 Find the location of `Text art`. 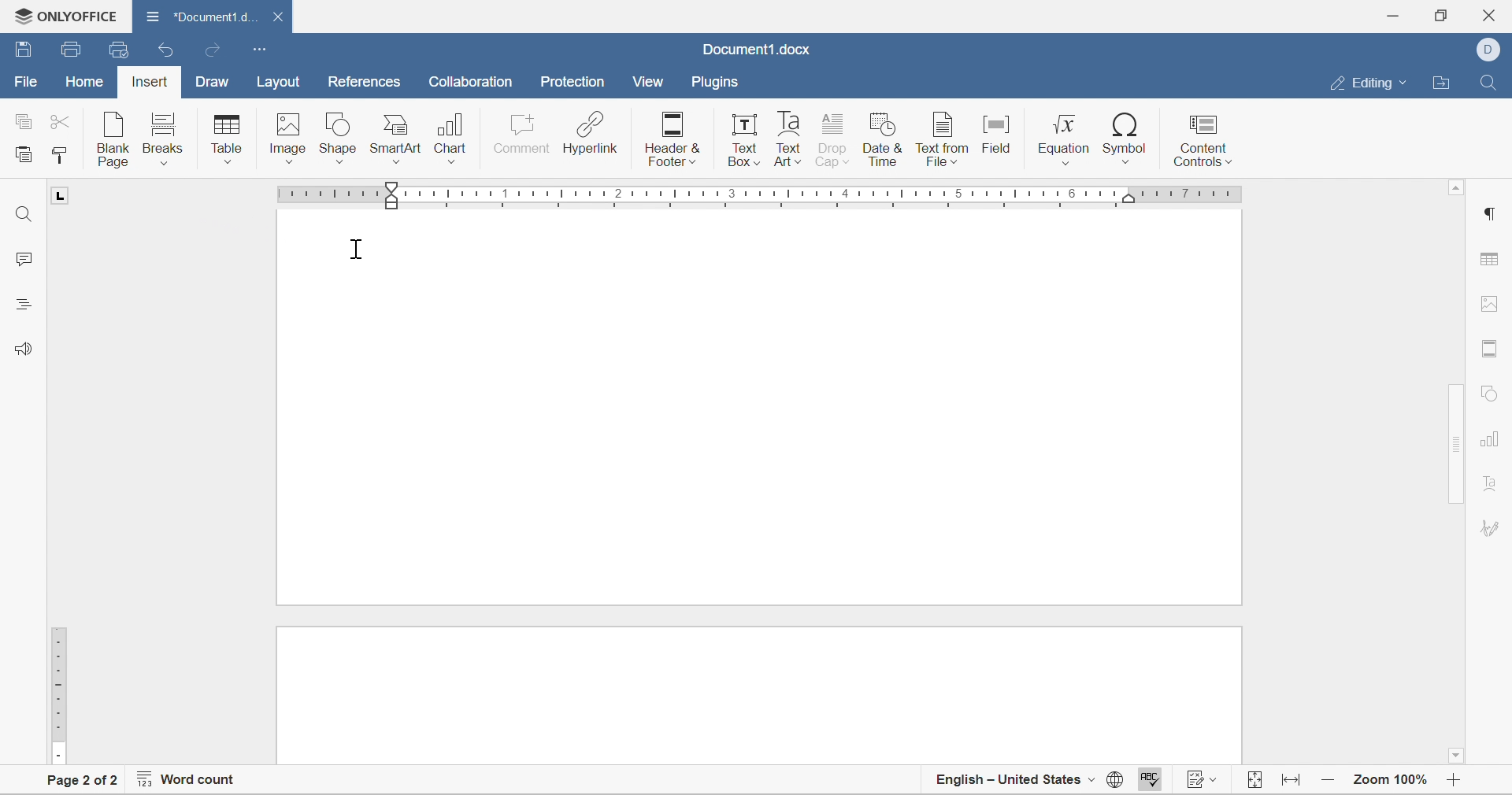

Text art is located at coordinates (788, 139).